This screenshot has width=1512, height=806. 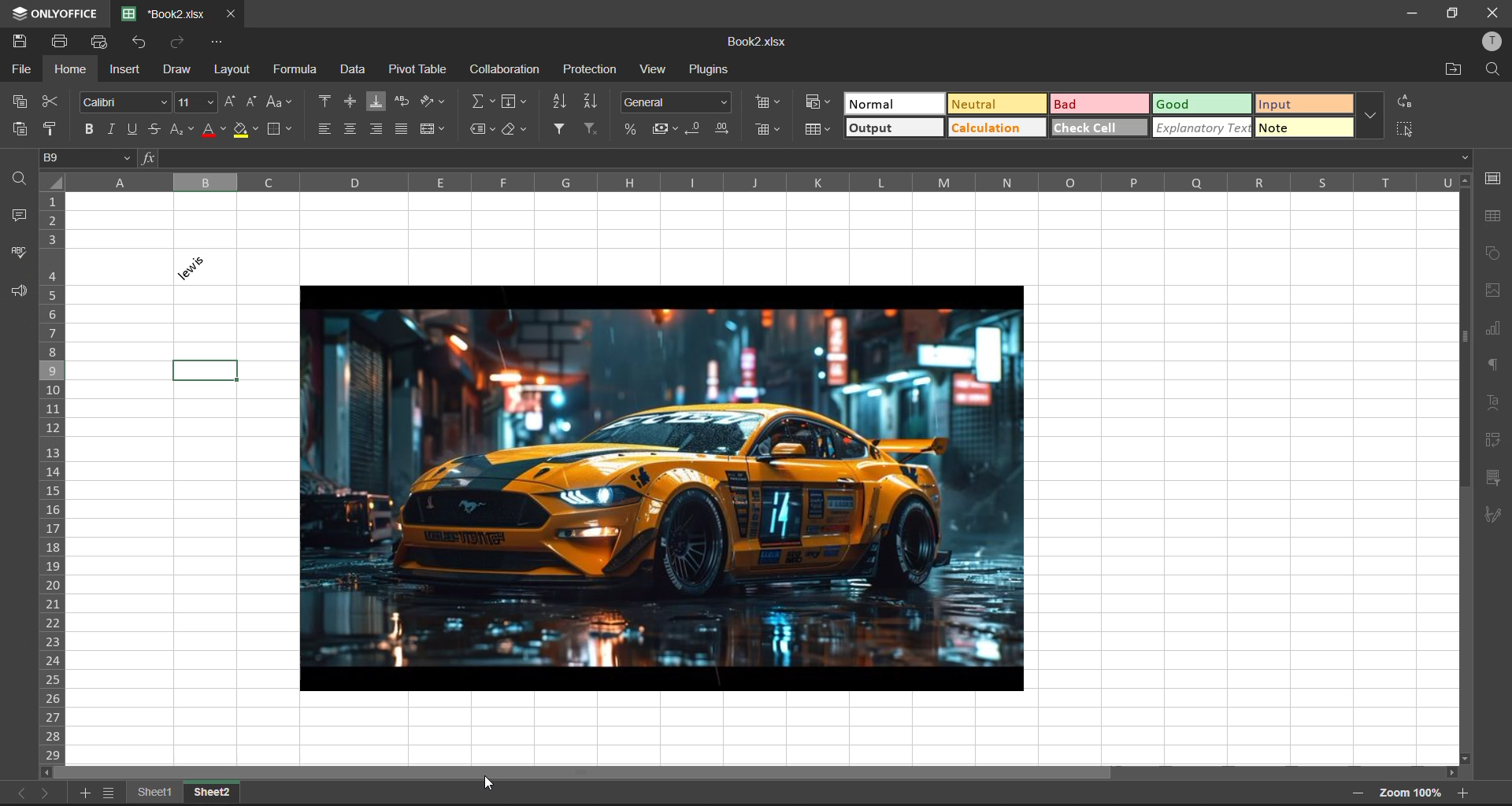 What do you see at coordinates (483, 130) in the screenshot?
I see `named ranges` at bounding box center [483, 130].